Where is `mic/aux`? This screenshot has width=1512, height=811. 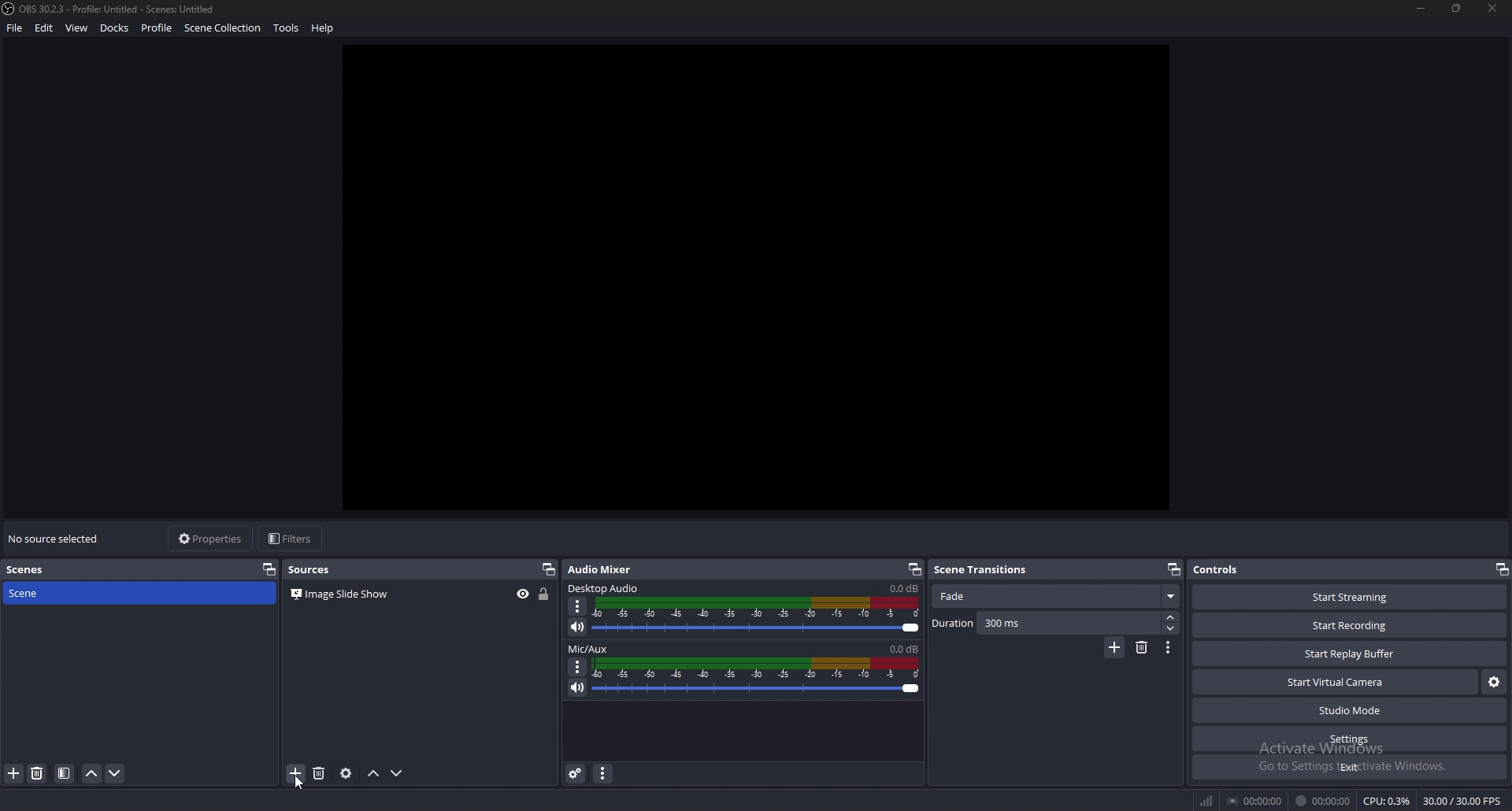
mic/aux is located at coordinates (589, 649).